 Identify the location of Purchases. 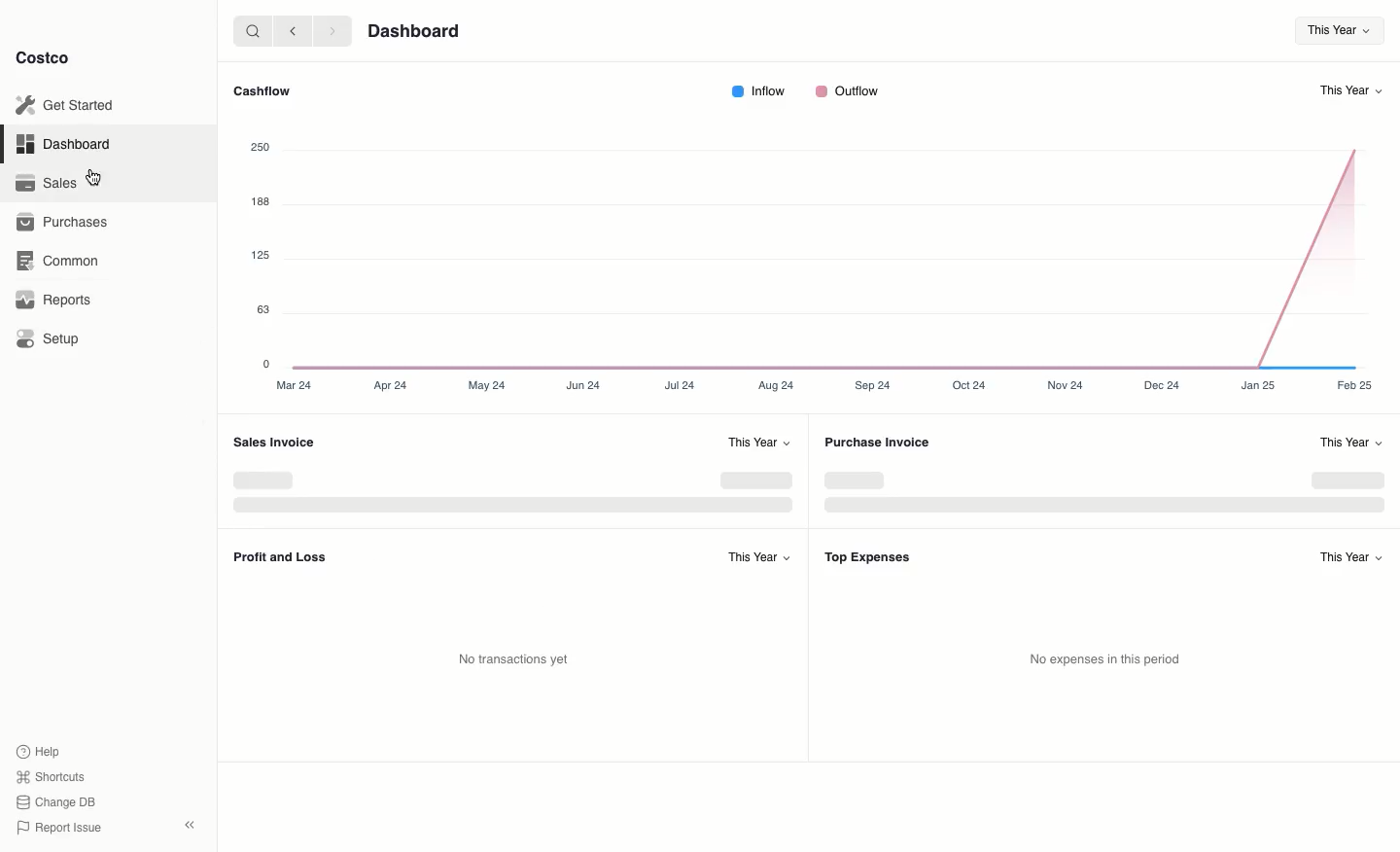
(61, 224).